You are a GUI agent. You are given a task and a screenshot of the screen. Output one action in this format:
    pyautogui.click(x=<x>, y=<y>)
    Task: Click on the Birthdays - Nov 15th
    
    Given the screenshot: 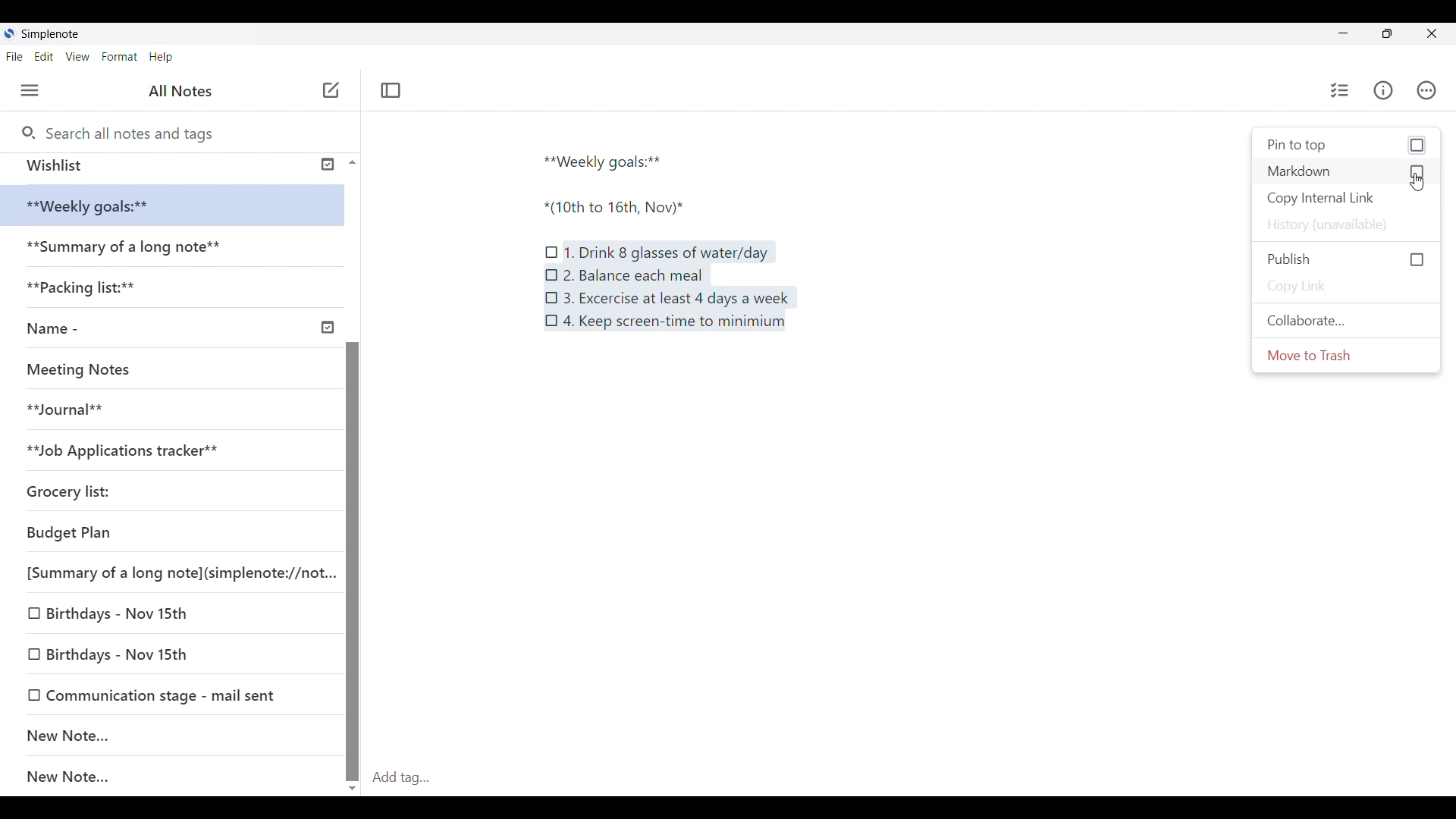 What is the action you would take?
    pyautogui.click(x=165, y=651)
    